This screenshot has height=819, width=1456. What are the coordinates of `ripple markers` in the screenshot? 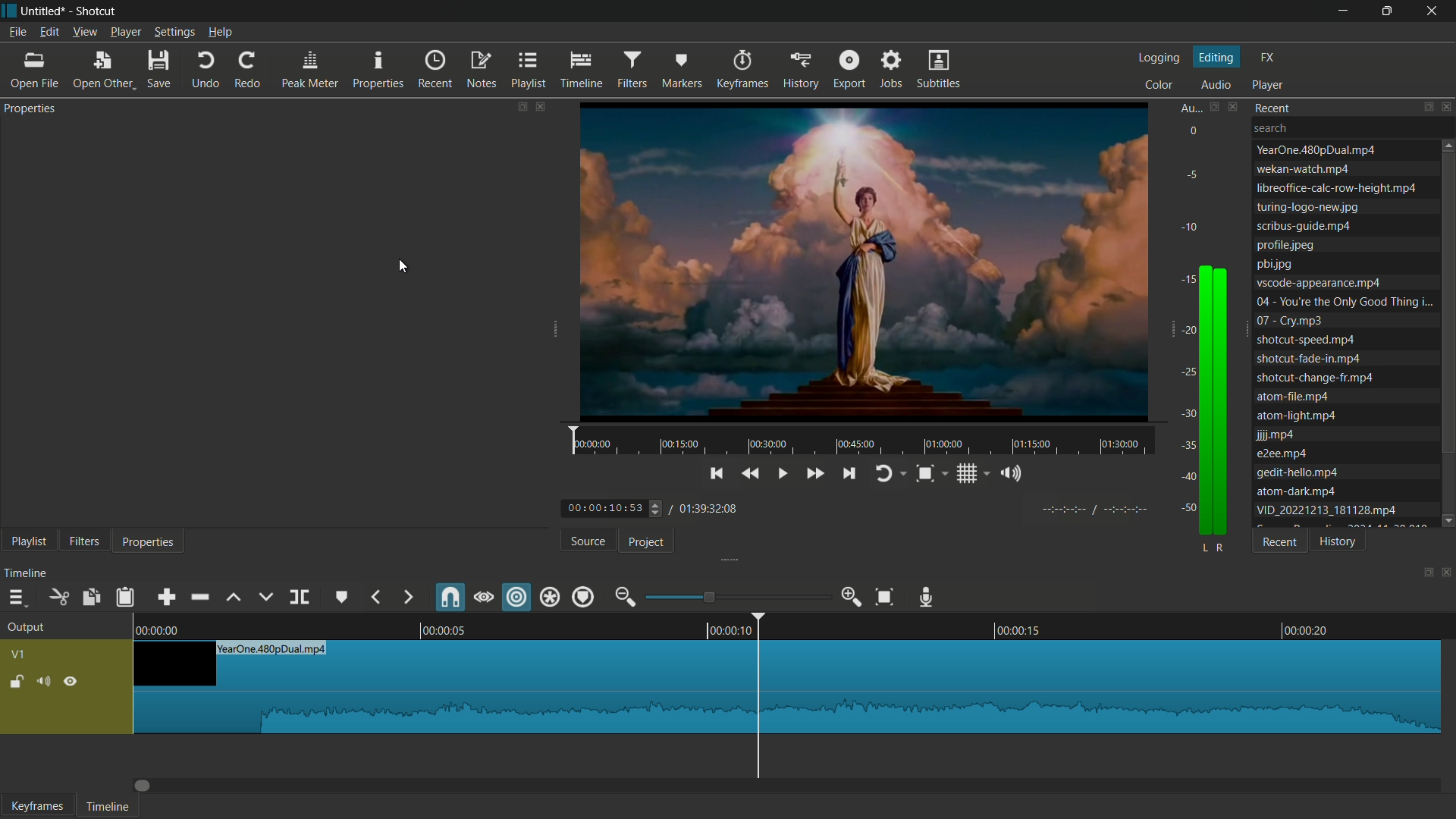 It's located at (584, 596).